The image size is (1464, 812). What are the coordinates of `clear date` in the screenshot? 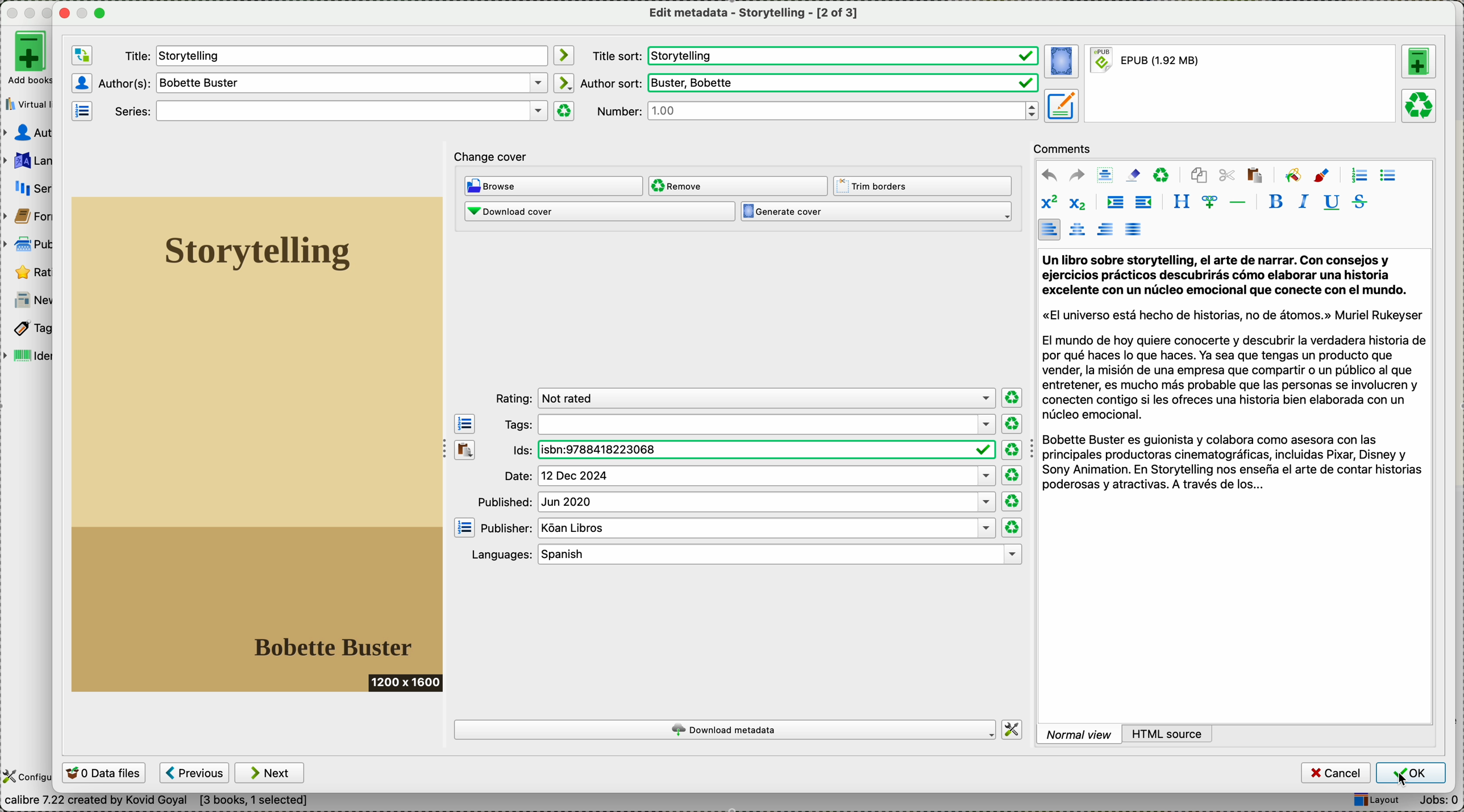 It's located at (1013, 527).